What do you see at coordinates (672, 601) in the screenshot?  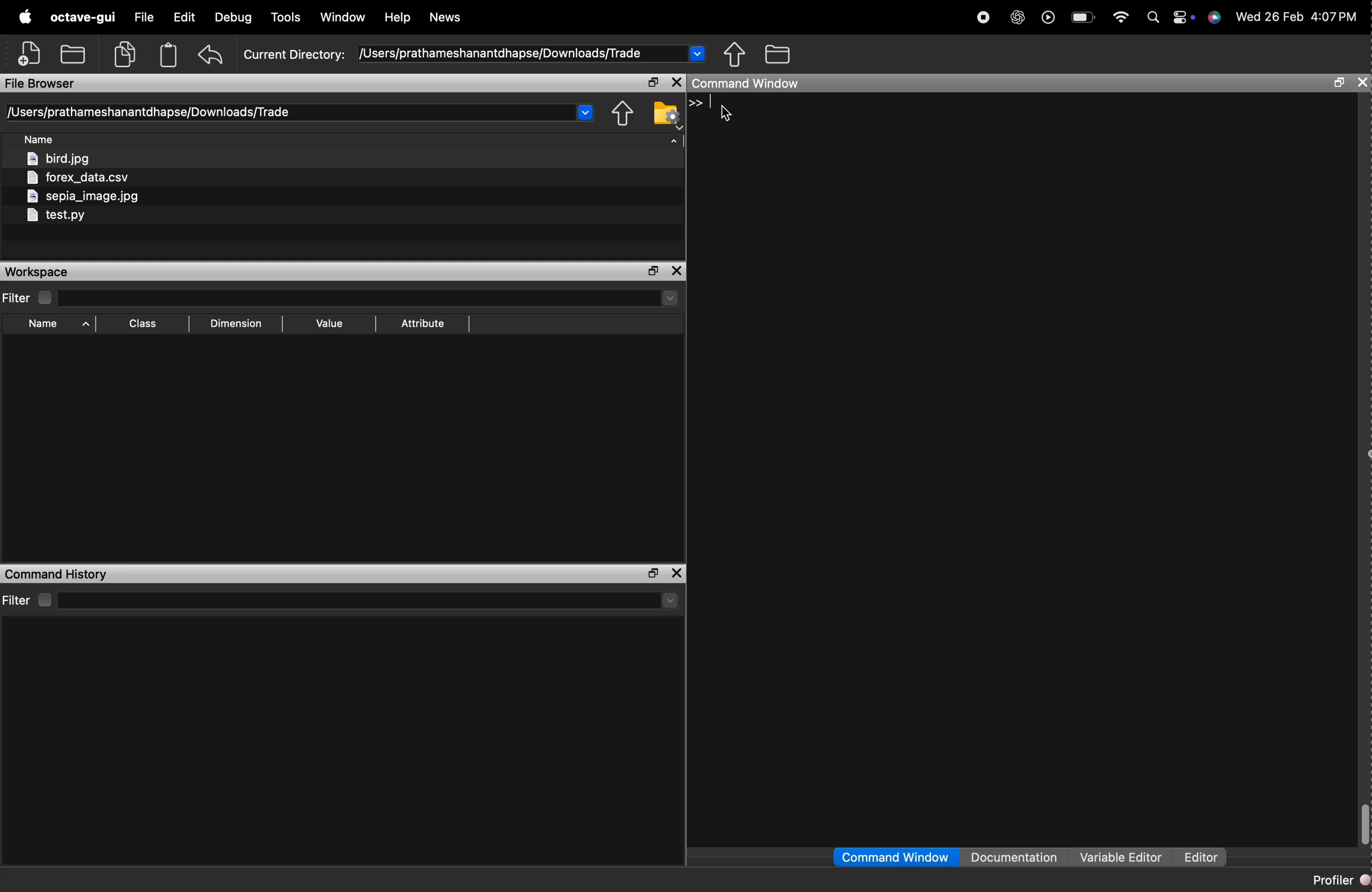 I see `Drop-down ` at bounding box center [672, 601].